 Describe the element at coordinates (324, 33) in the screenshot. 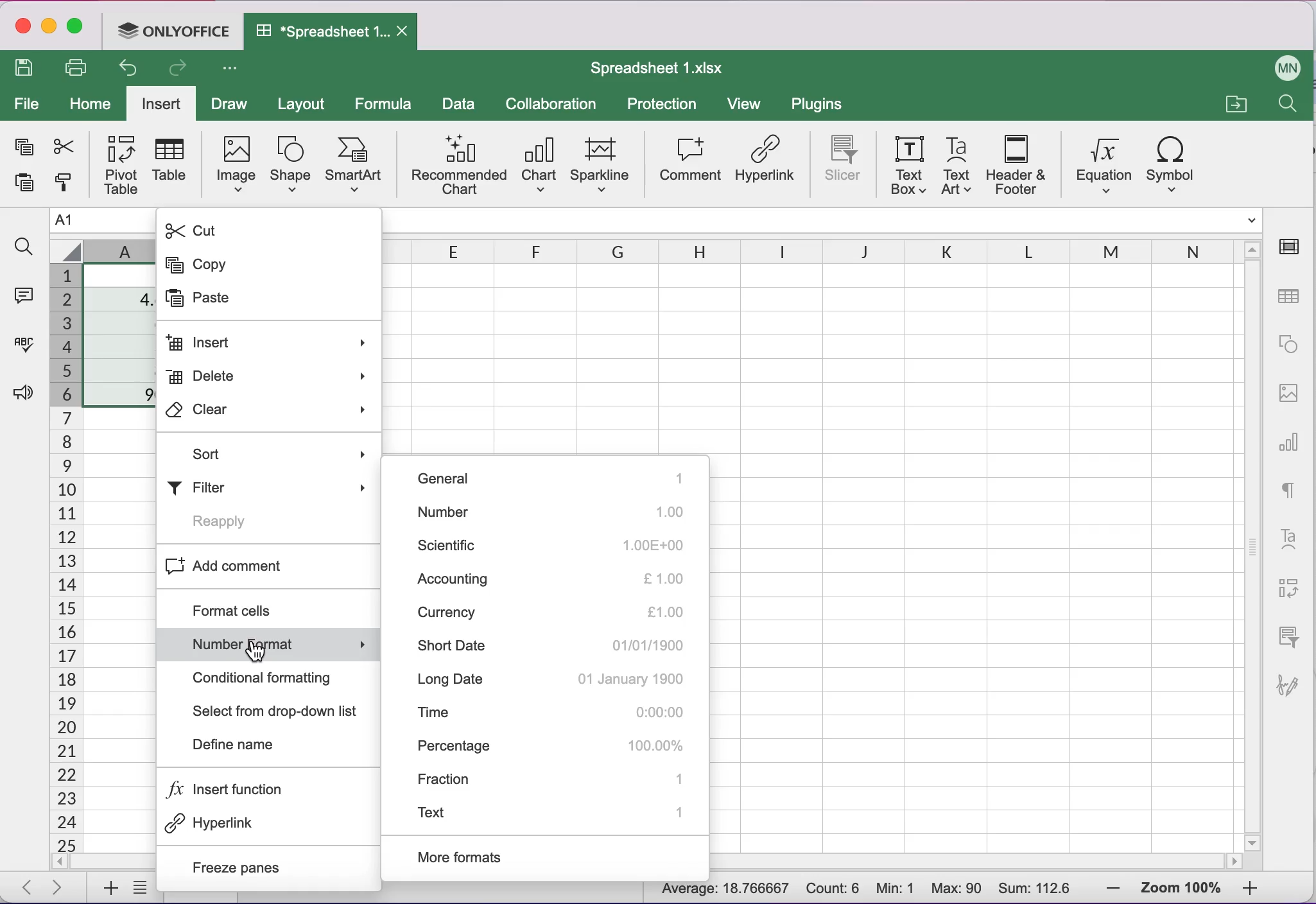

I see `Spreadsheet 1.xIsx` at that location.